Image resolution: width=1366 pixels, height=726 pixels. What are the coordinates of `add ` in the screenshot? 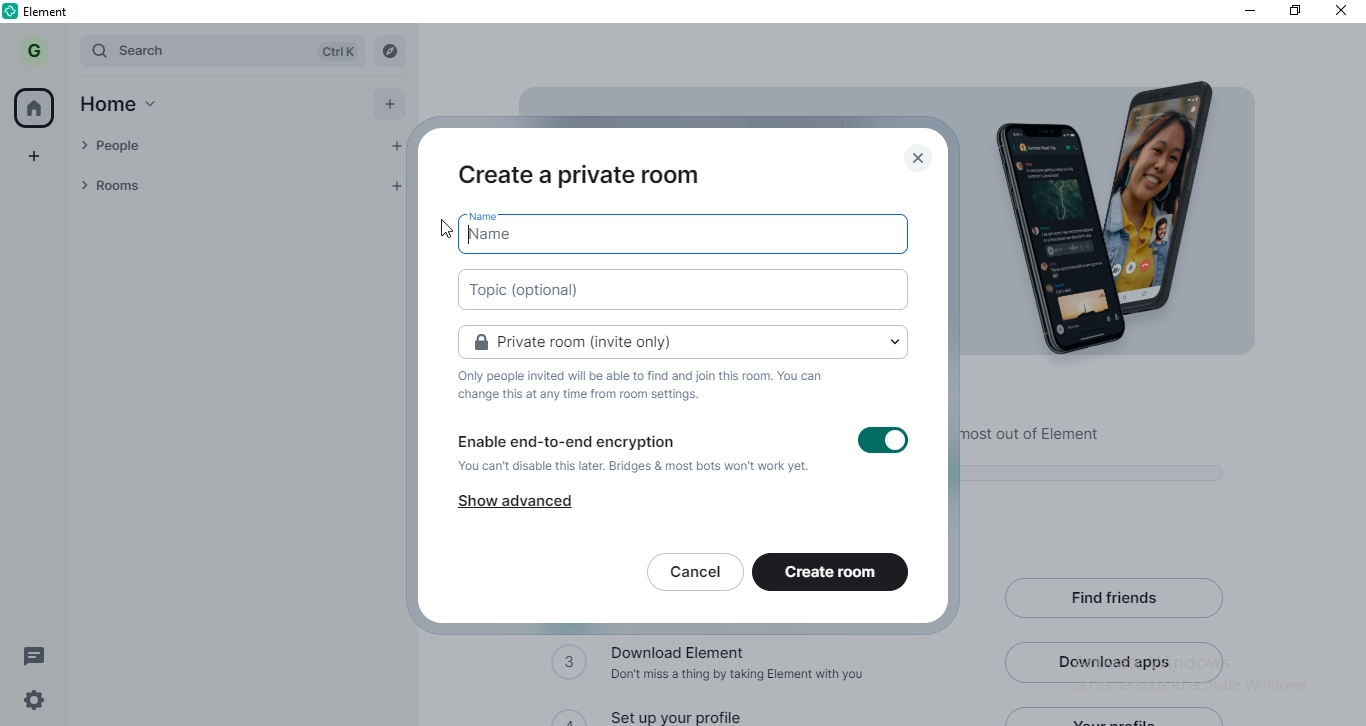 It's located at (394, 105).